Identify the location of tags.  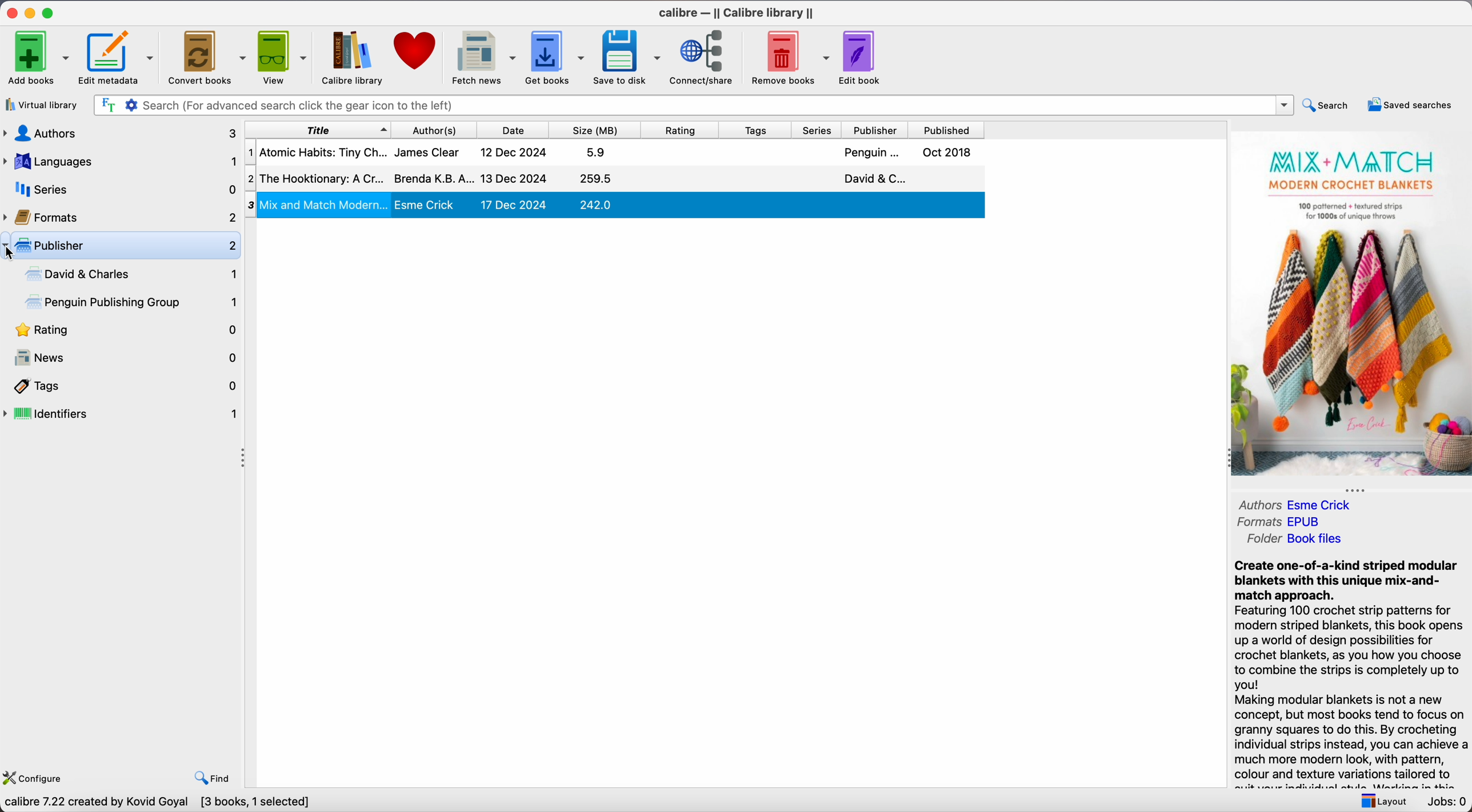
(122, 386).